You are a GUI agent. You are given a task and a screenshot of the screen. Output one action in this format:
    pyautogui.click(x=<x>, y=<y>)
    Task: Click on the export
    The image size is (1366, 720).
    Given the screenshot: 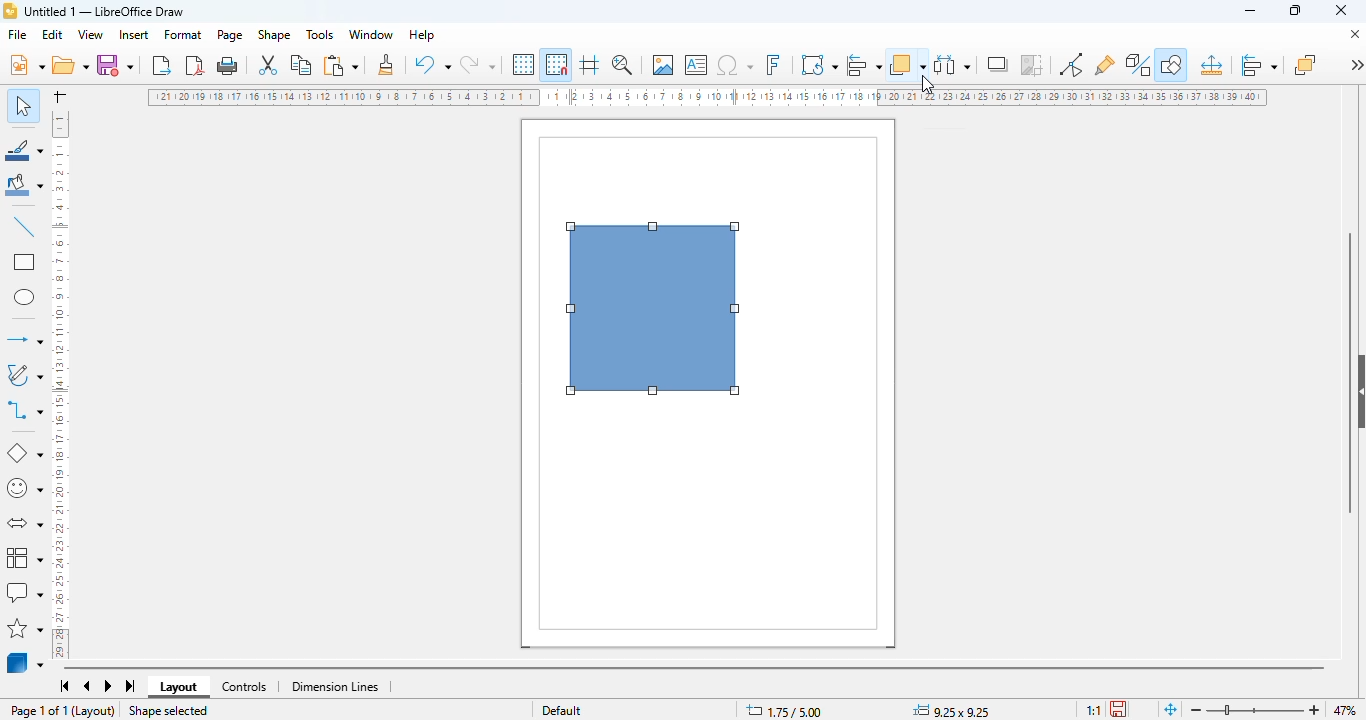 What is the action you would take?
    pyautogui.click(x=162, y=64)
    